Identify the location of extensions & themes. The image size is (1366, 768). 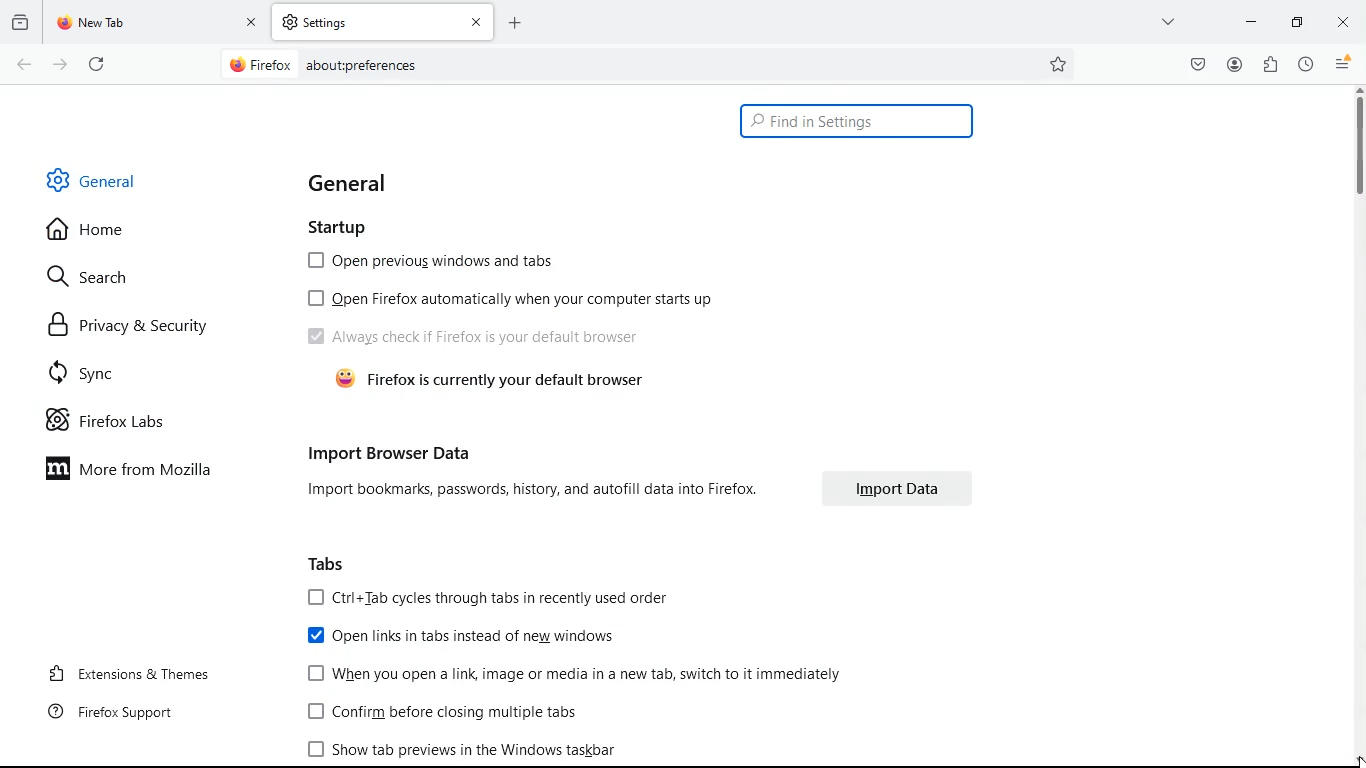
(125, 674).